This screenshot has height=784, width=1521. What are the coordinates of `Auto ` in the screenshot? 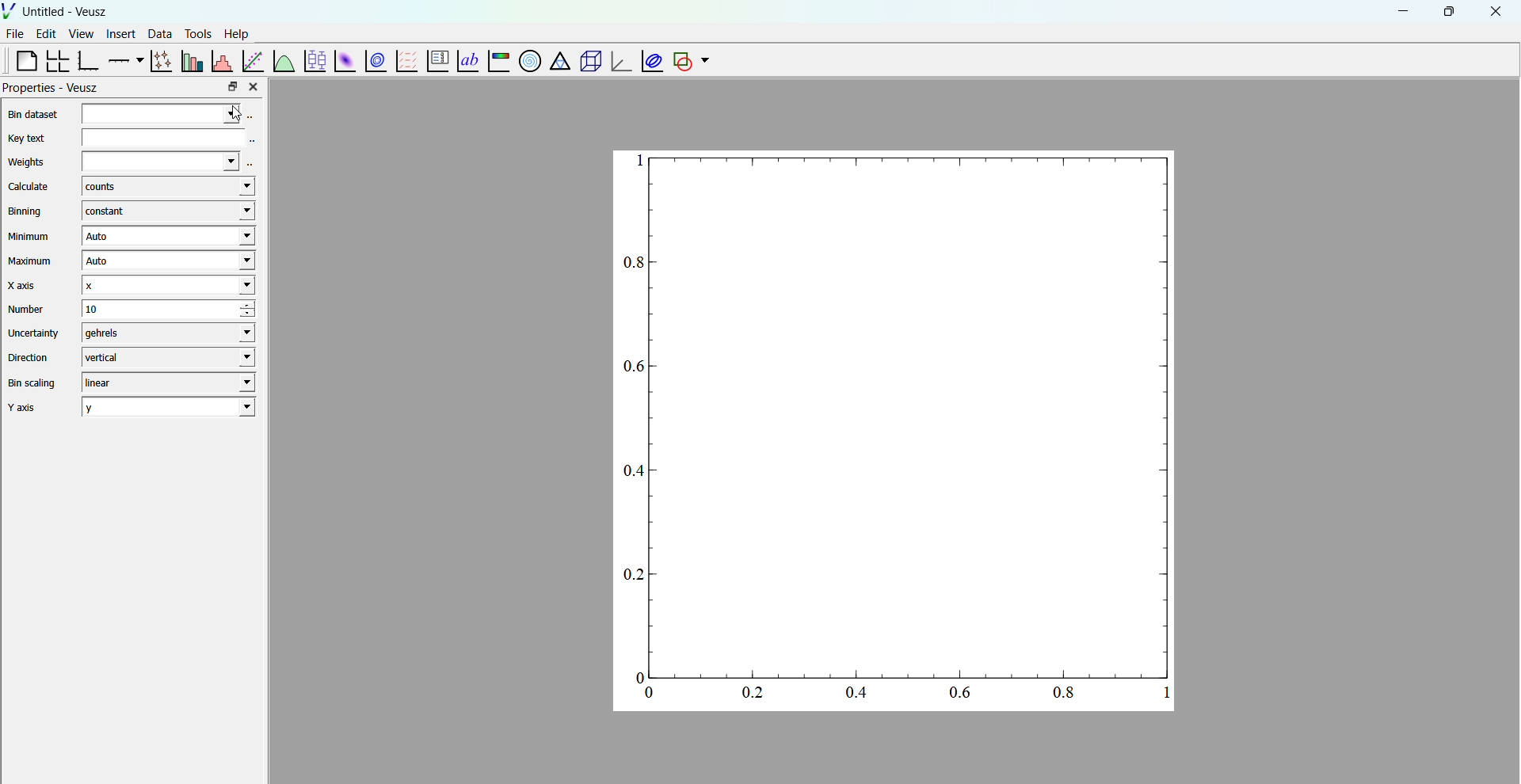 It's located at (169, 262).